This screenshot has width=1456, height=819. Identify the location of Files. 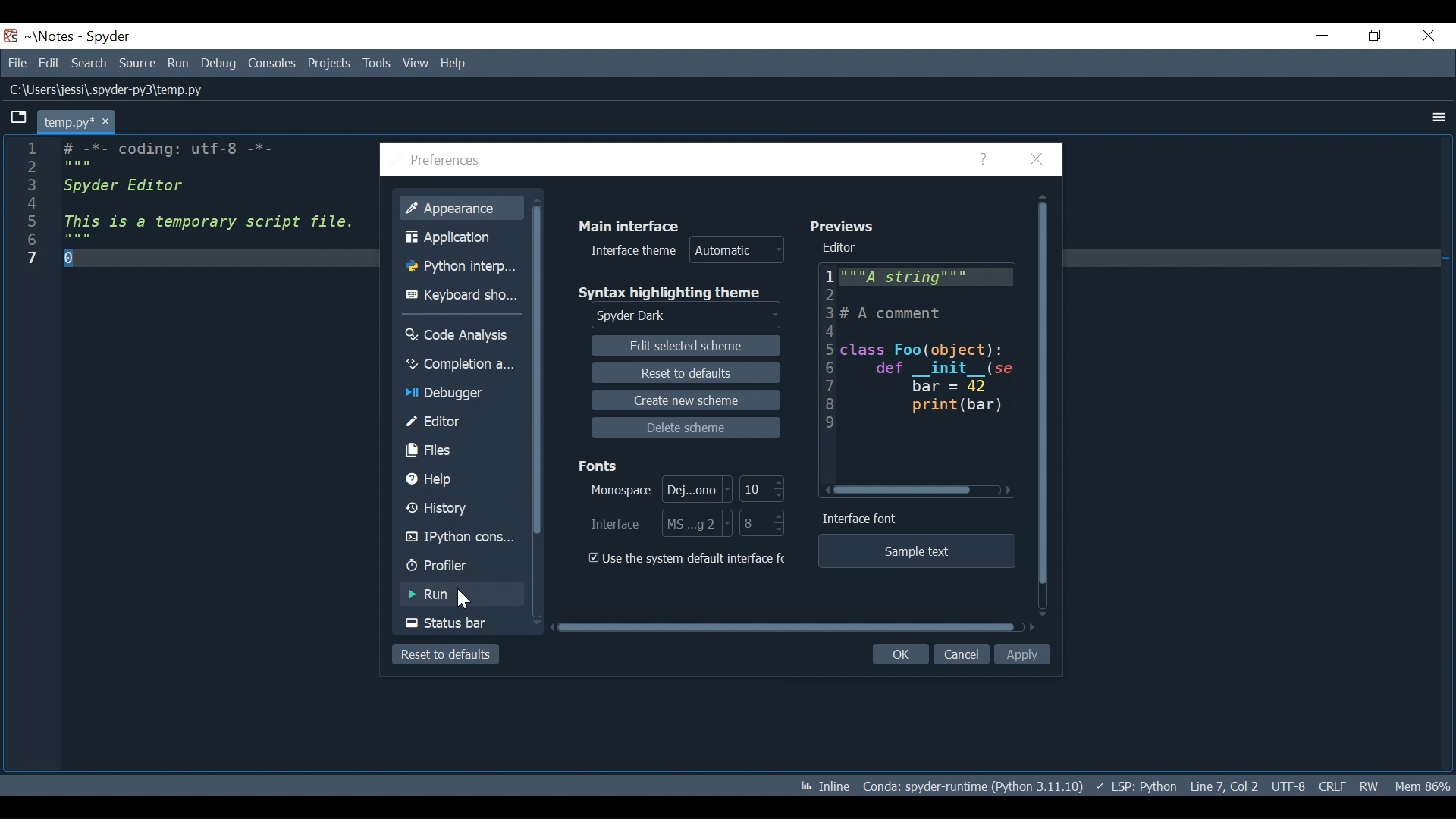
(455, 449).